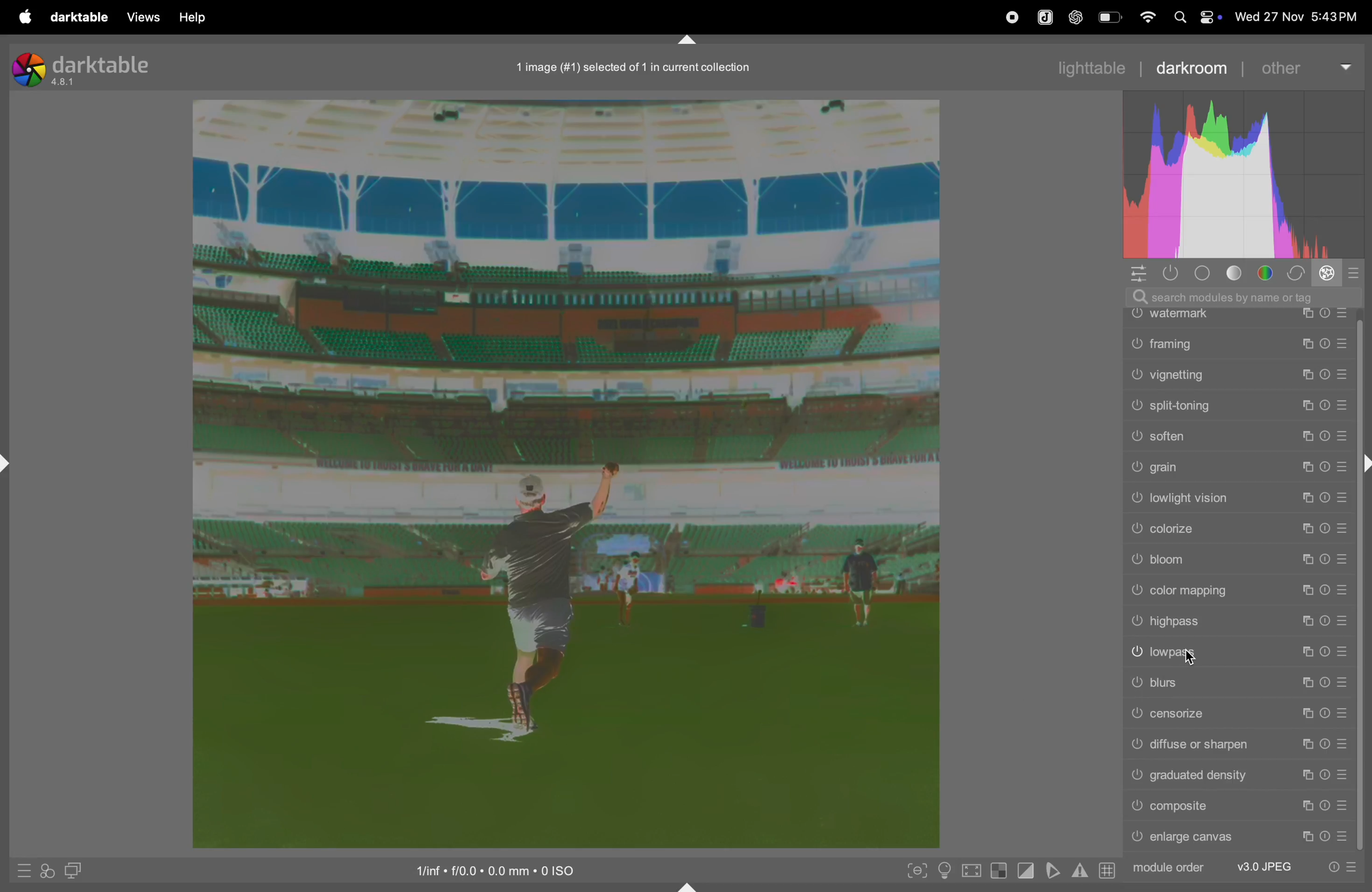  I want to click on water mark, so click(1237, 317).